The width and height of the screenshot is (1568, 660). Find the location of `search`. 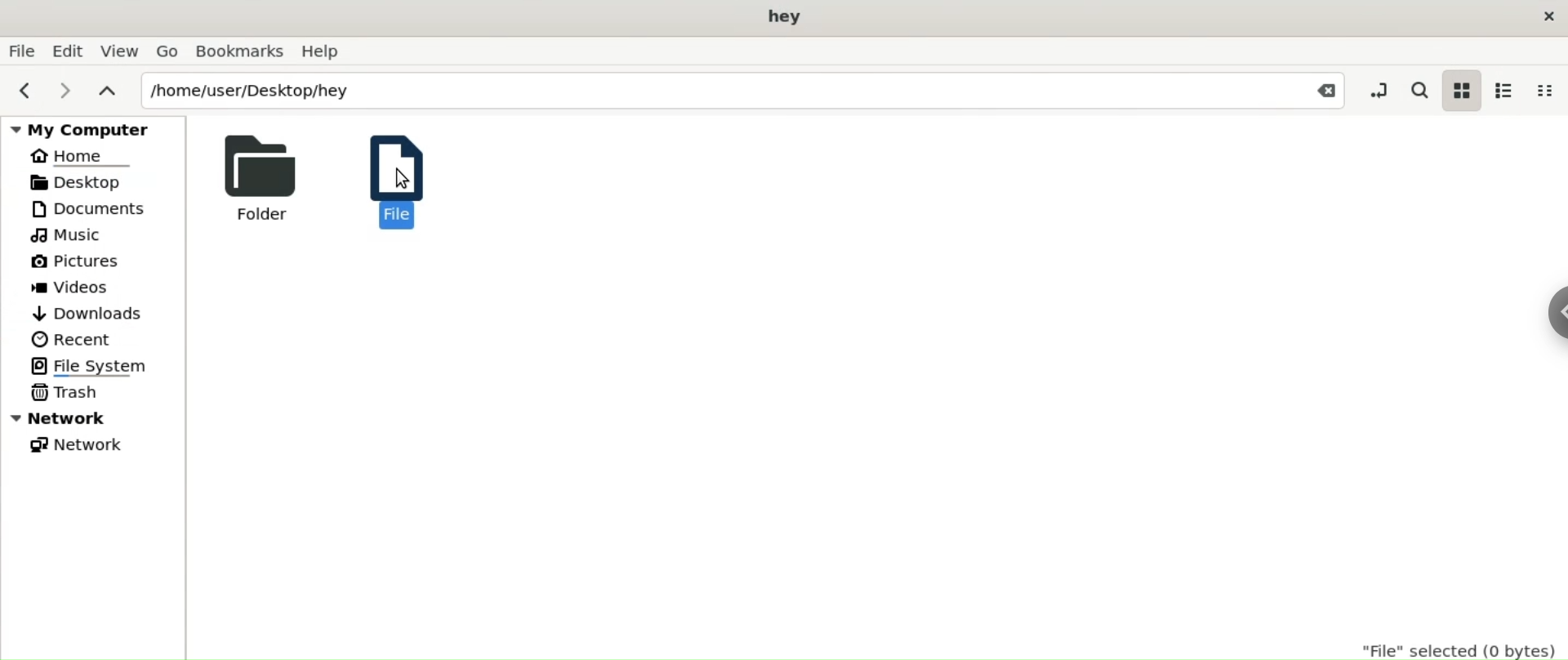

search is located at coordinates (1419, 90).